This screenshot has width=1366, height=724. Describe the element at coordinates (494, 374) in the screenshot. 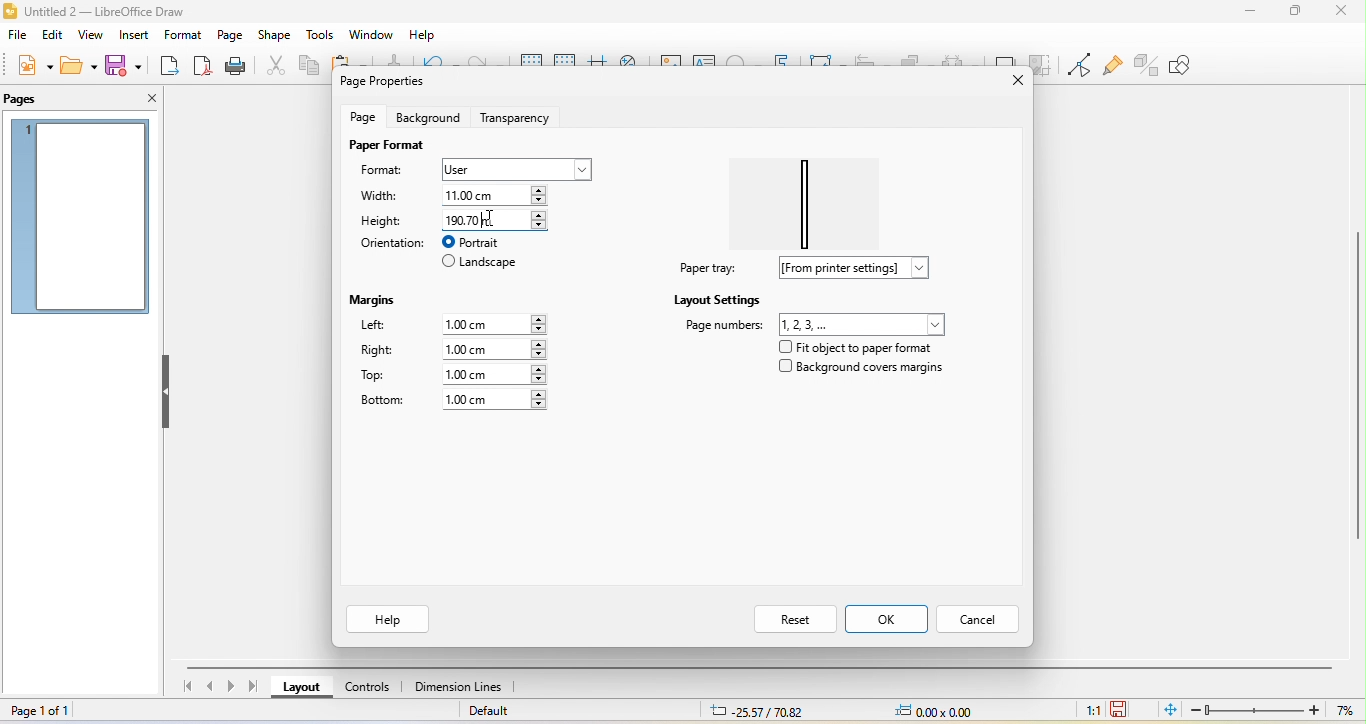

I see `1.00 cm` at that location.